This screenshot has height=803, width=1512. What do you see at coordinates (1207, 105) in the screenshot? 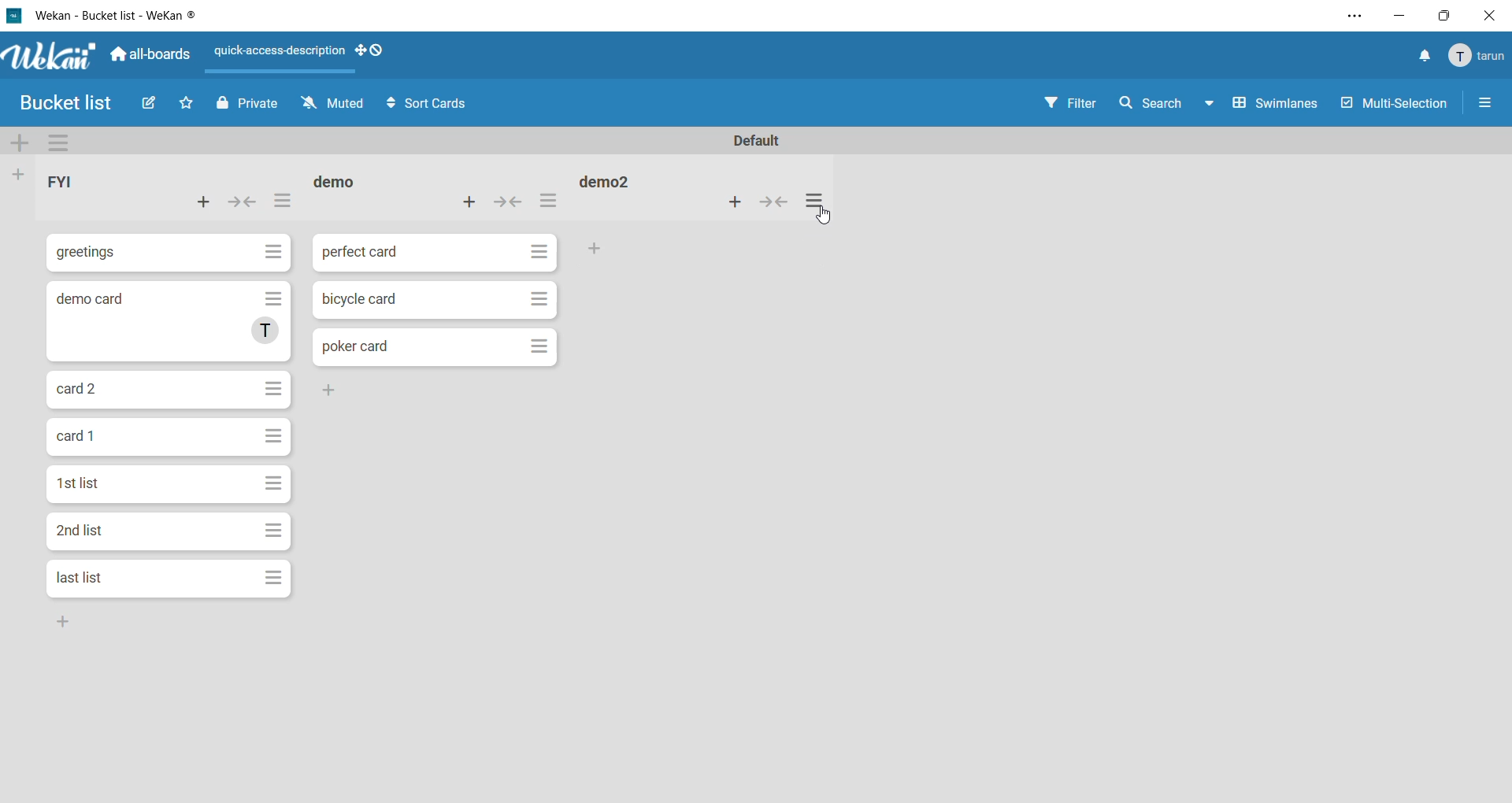
I see `Down-arrow` at bounding box center [1207, 105].